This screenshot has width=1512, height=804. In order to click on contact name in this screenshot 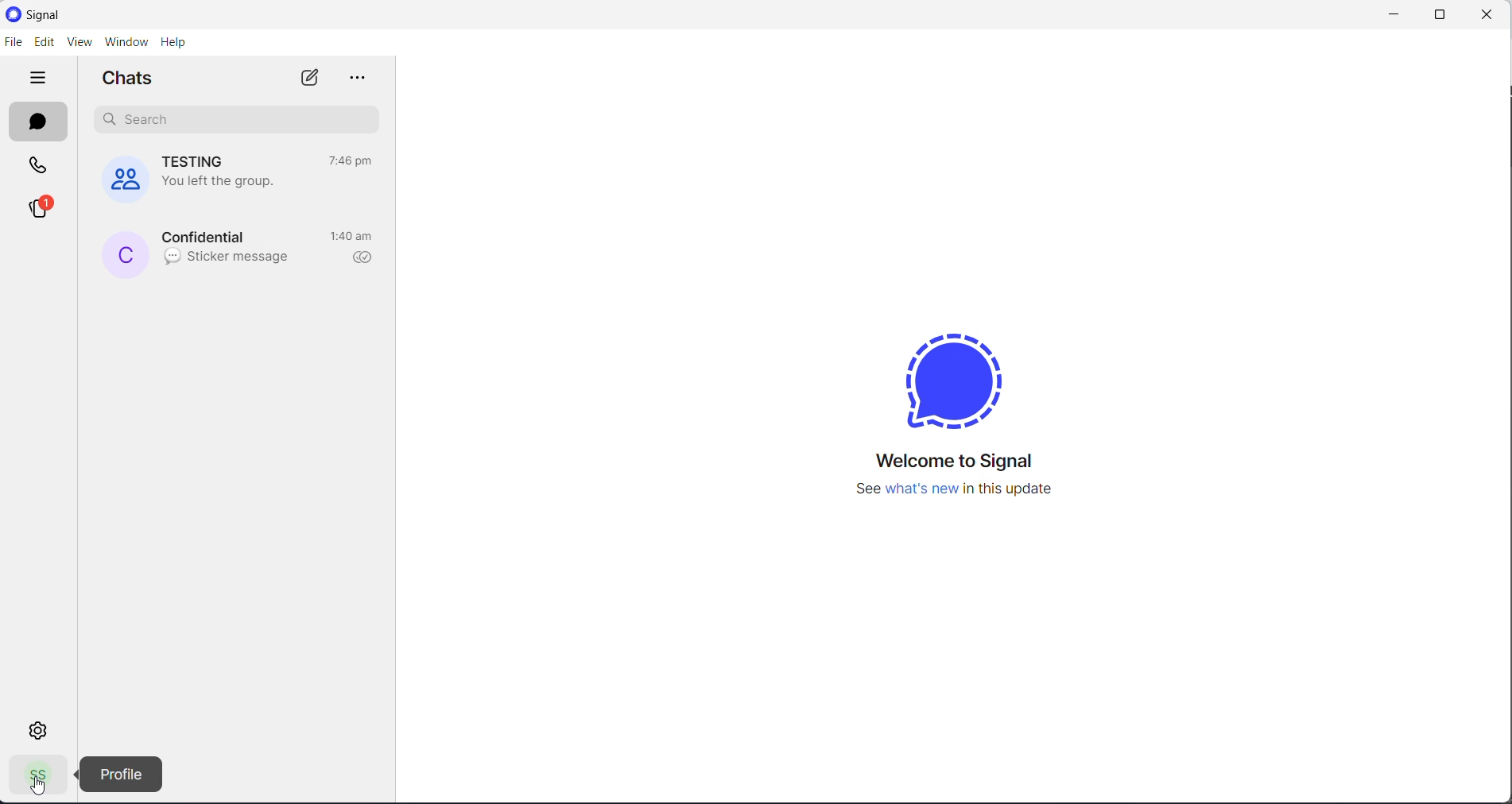, I will do `click(207, 234)`.